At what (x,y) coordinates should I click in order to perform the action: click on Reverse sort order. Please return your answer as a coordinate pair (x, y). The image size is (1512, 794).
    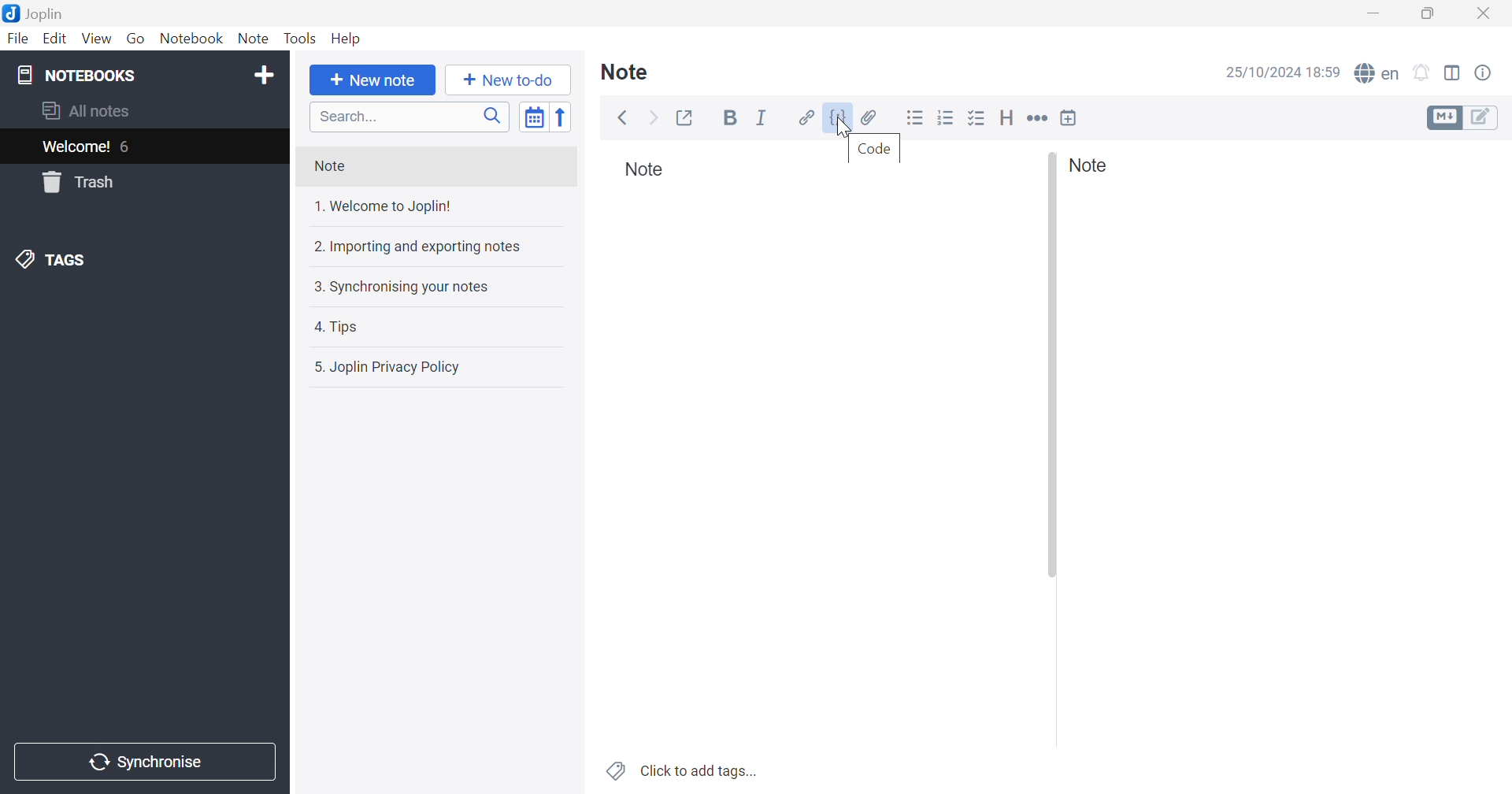
    Looking at the image, I should click on (563, 117).